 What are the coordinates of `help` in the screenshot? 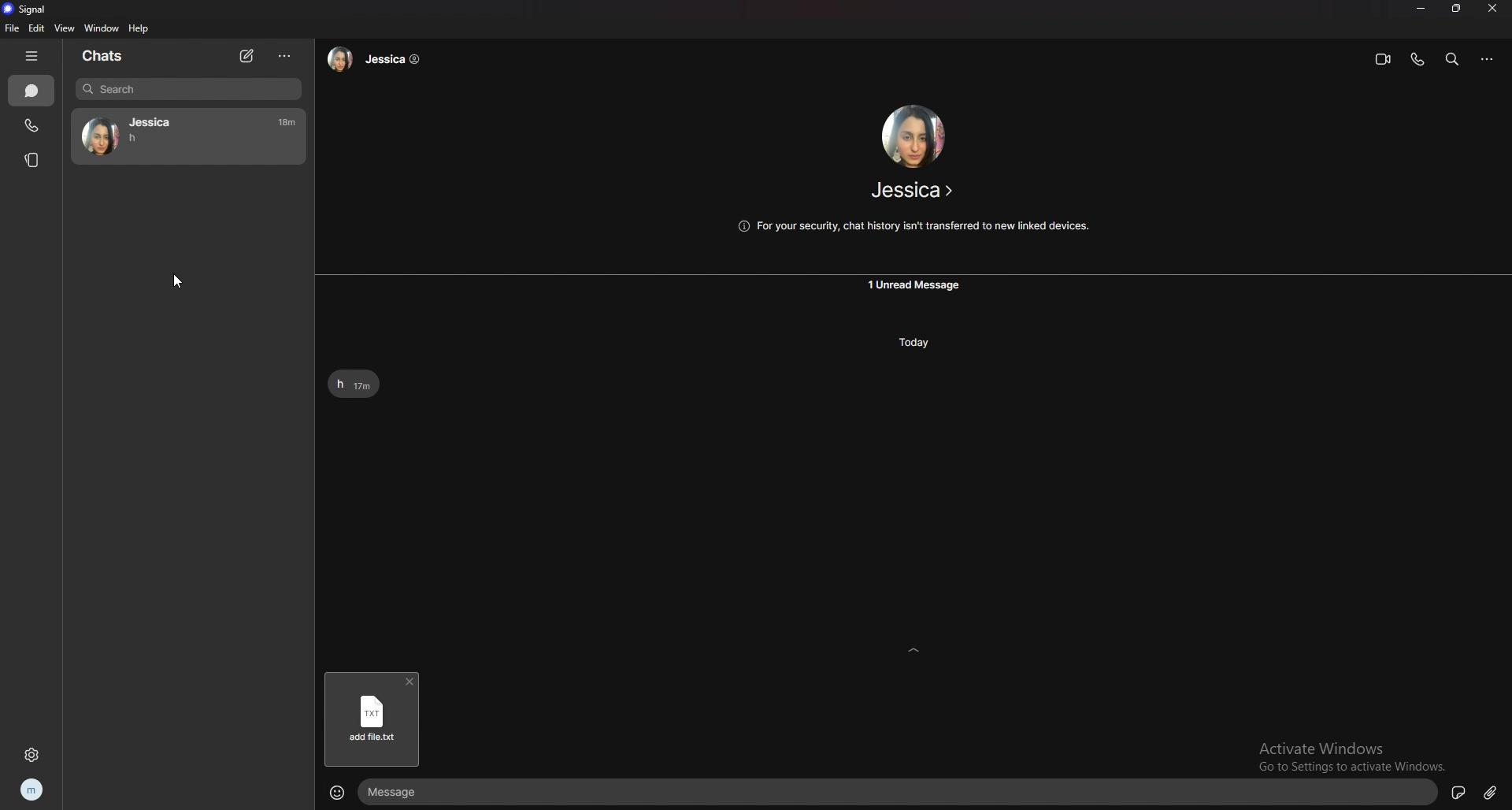 It's located at (139, 28).